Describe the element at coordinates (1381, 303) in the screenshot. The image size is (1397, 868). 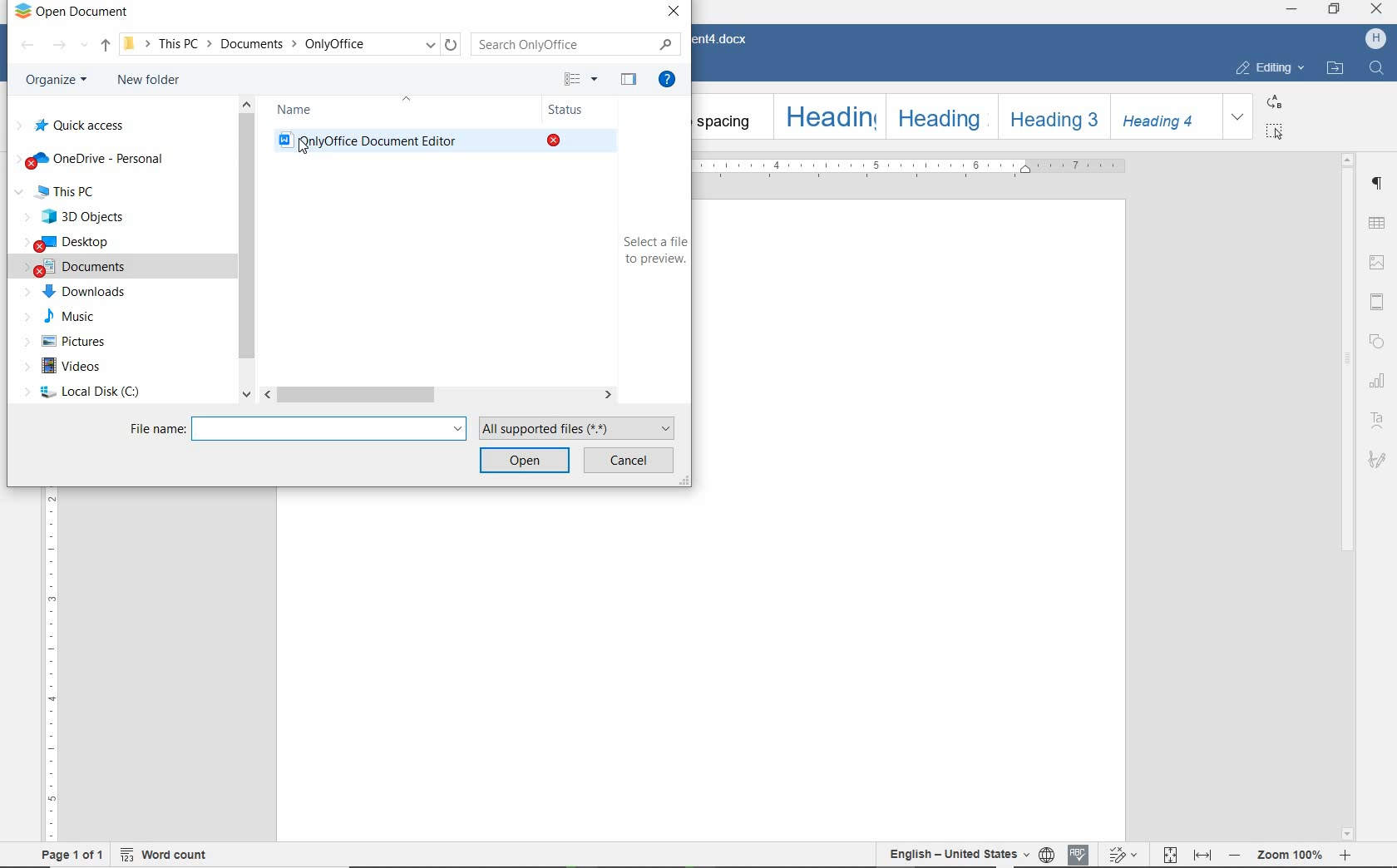
I see `Head and Footer` at that location.